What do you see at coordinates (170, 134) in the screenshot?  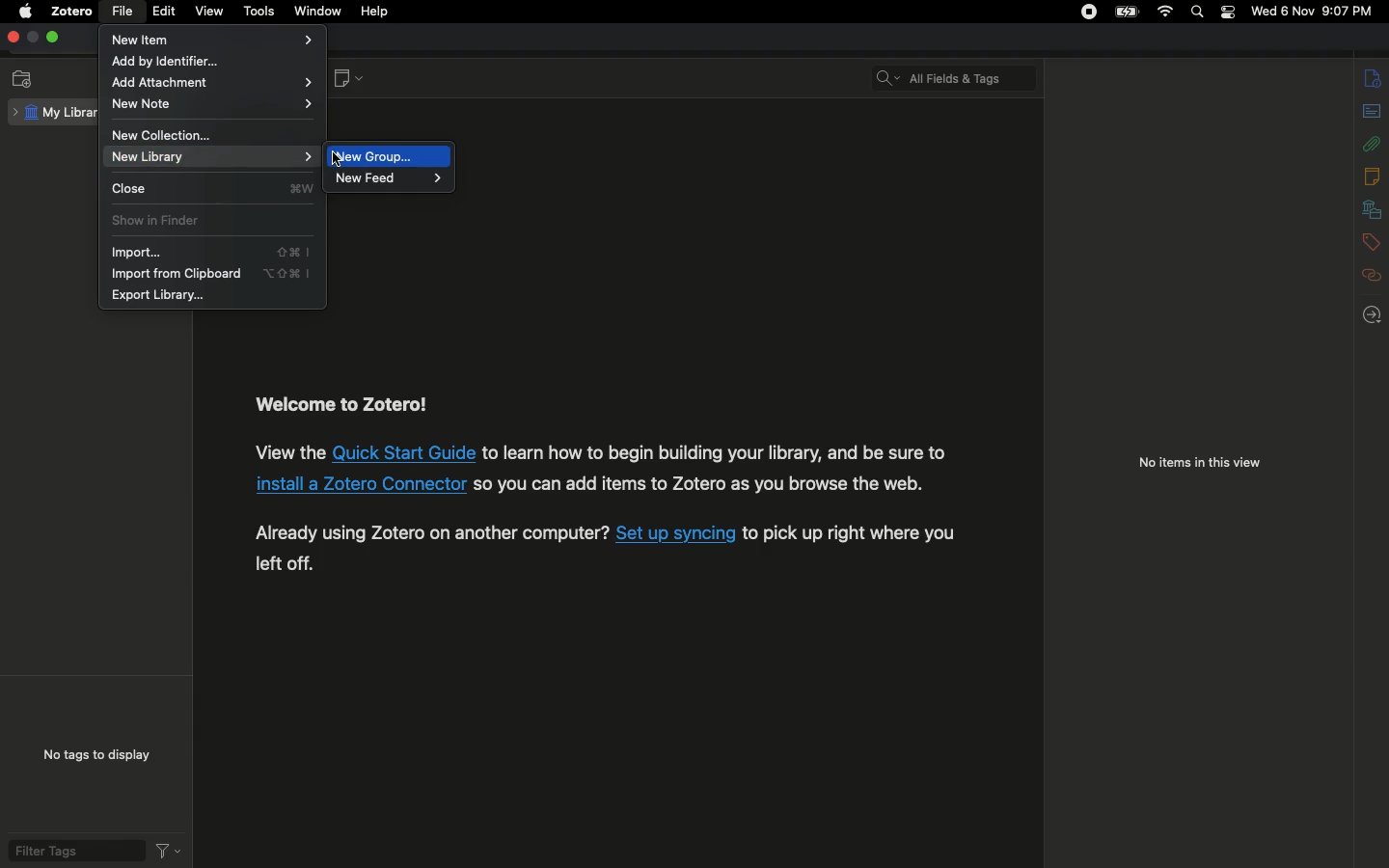 I see `New collection` at bounding box center [170, 134].